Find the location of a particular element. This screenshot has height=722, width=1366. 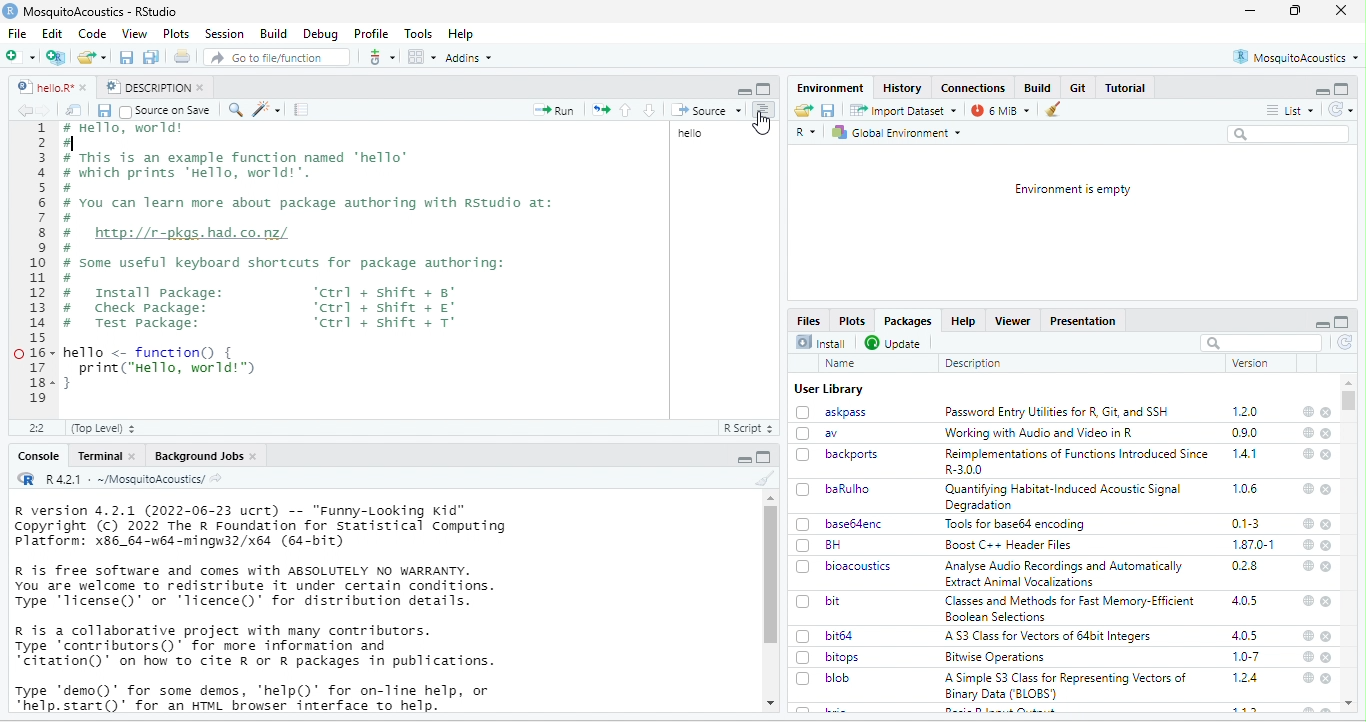

help is located at coordinates (1309, 411).